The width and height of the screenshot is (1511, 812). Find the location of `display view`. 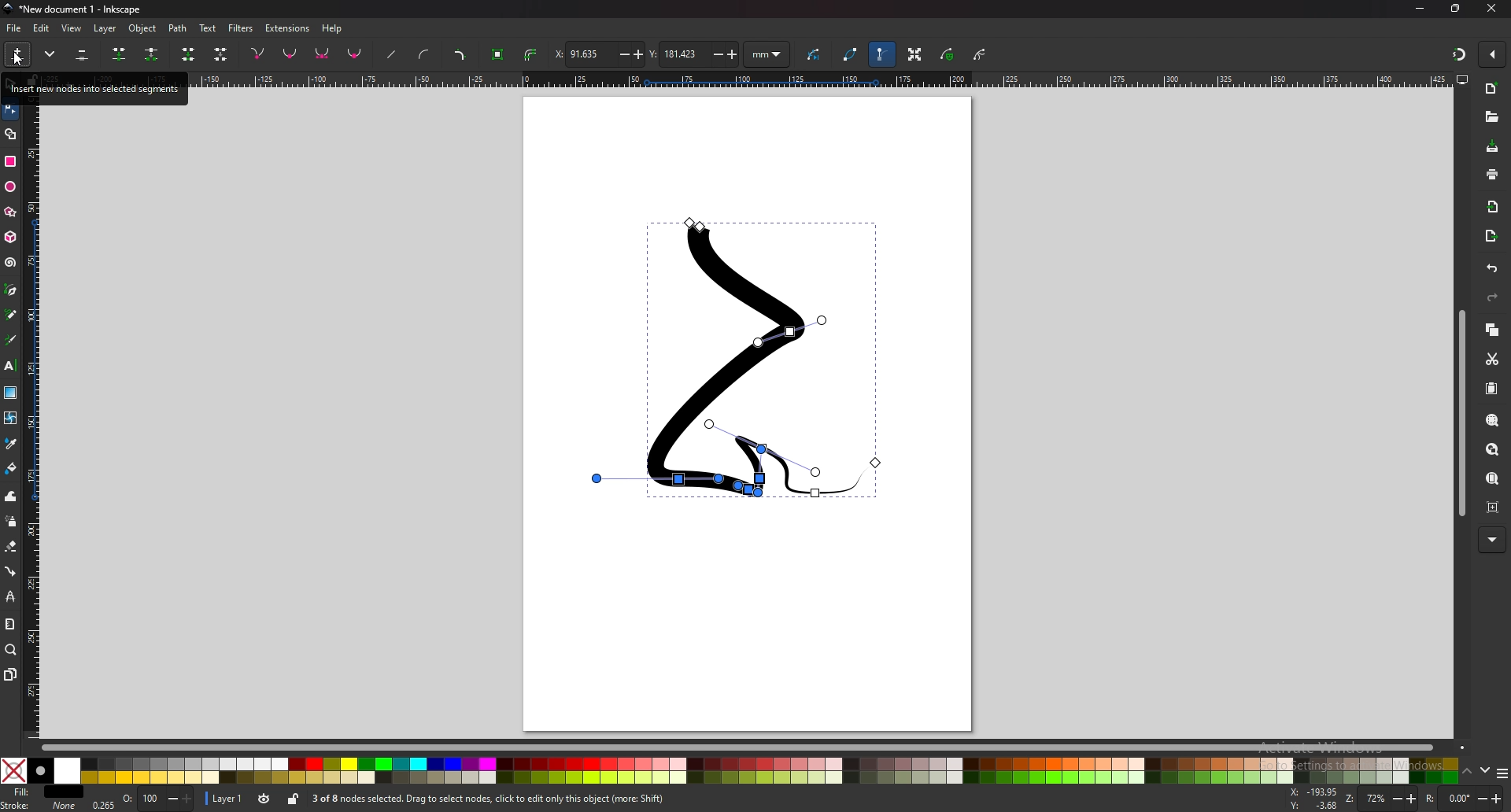

display view is located at coordinates (1463, 79).